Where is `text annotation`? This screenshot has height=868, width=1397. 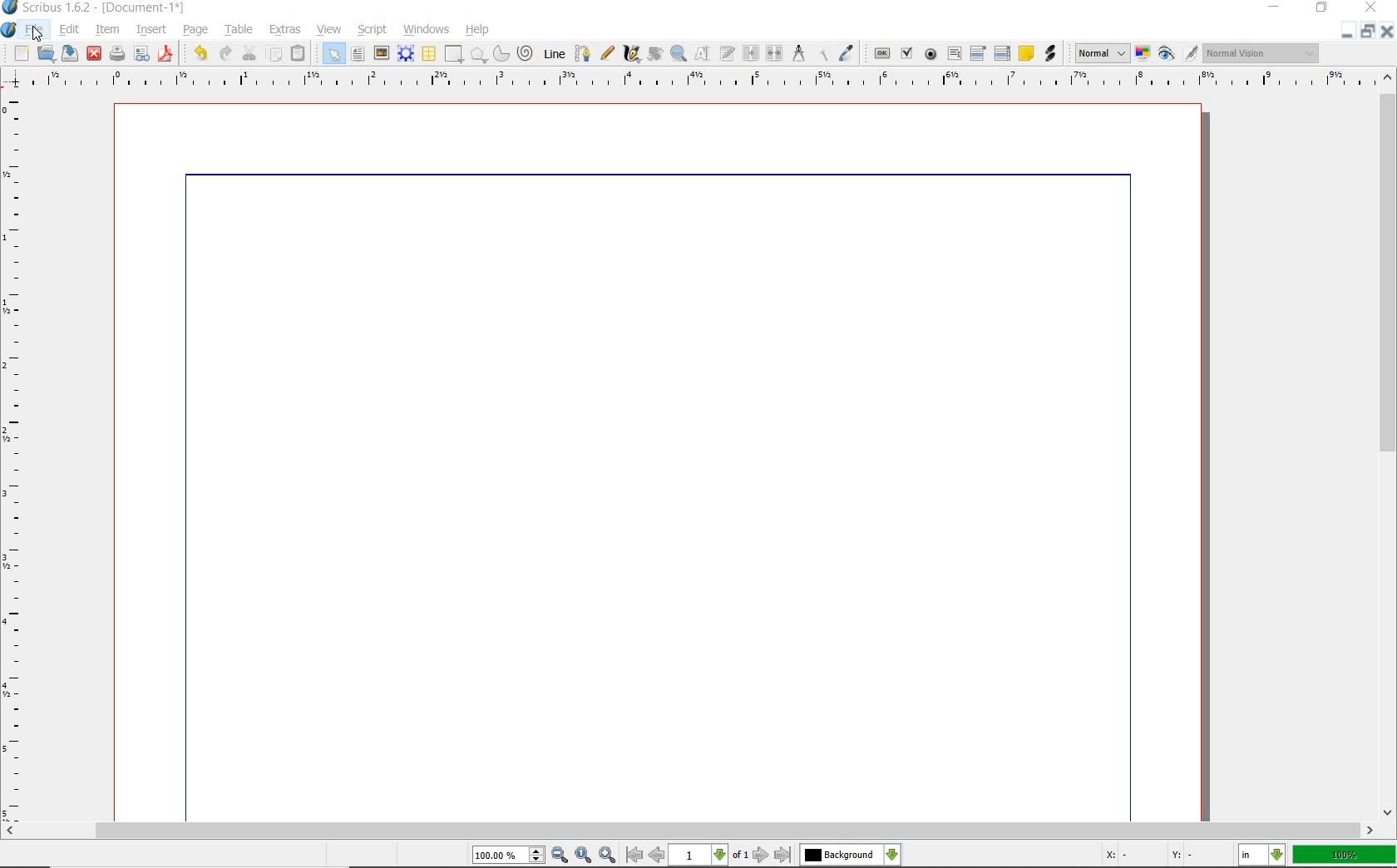
text annotation is located at coordinates (1025, 55).